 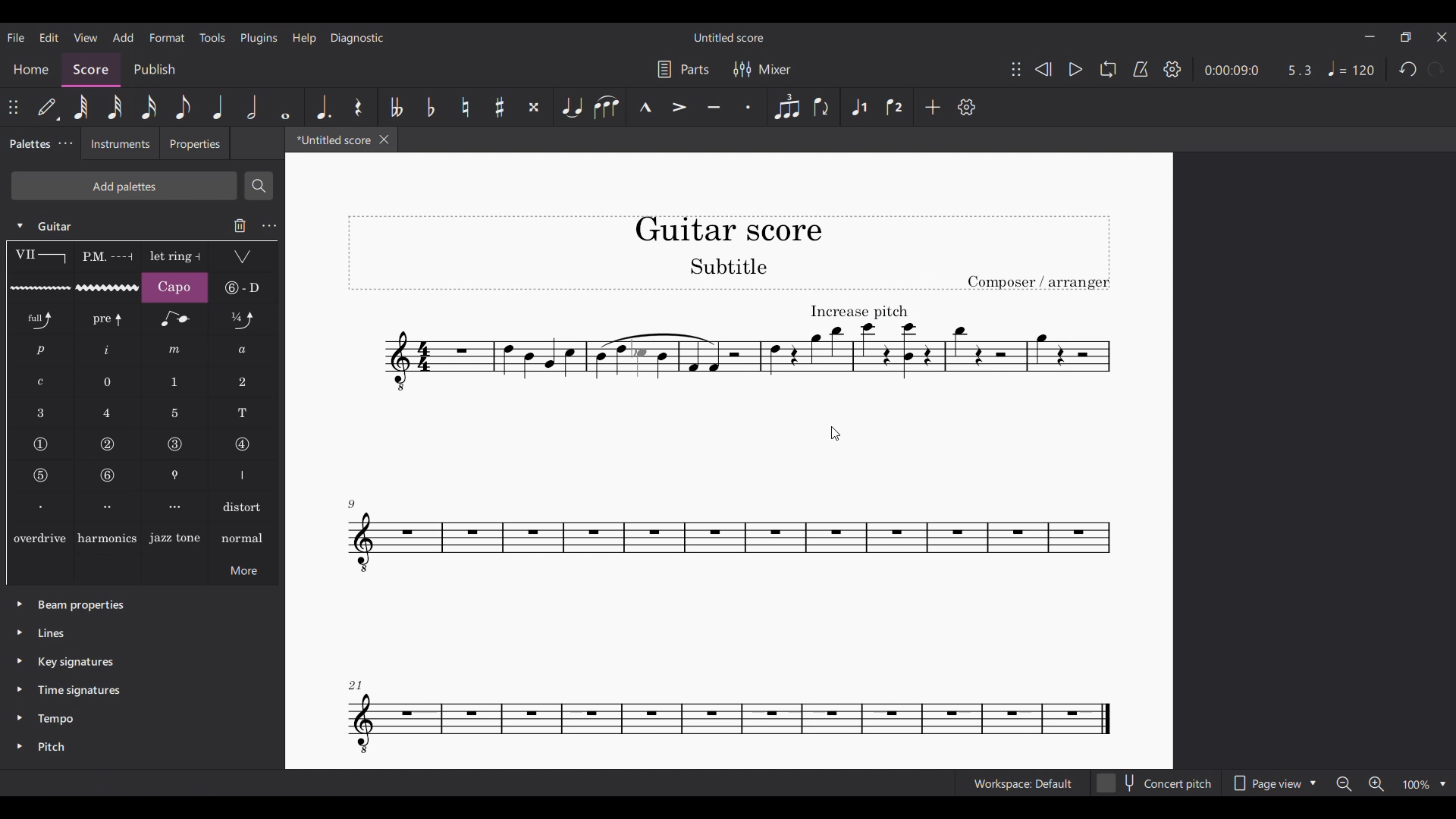 I want to click on Add, so click(x=933, y=106).